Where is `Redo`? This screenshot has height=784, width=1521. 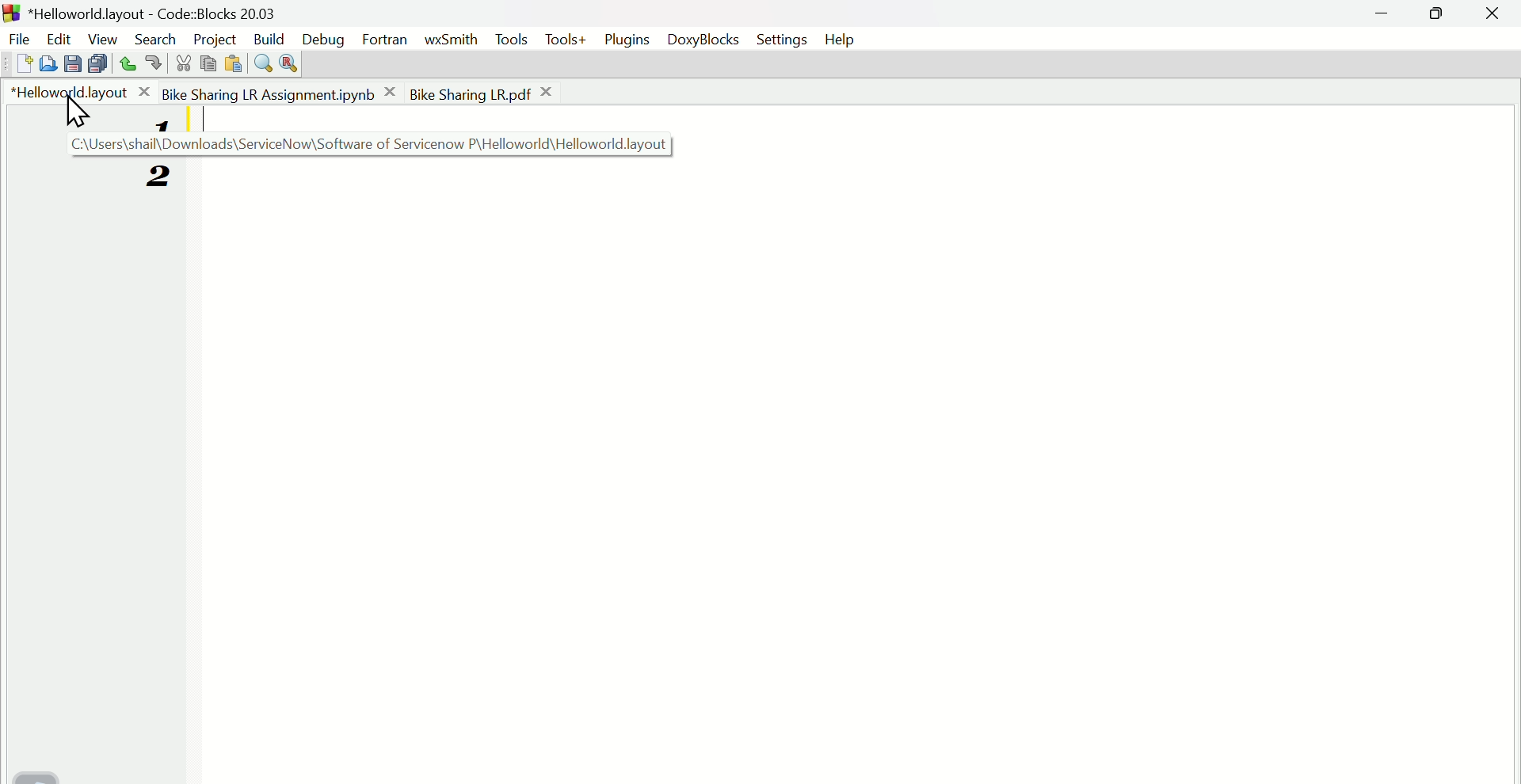
Redo is located at coordinates (151, 64).